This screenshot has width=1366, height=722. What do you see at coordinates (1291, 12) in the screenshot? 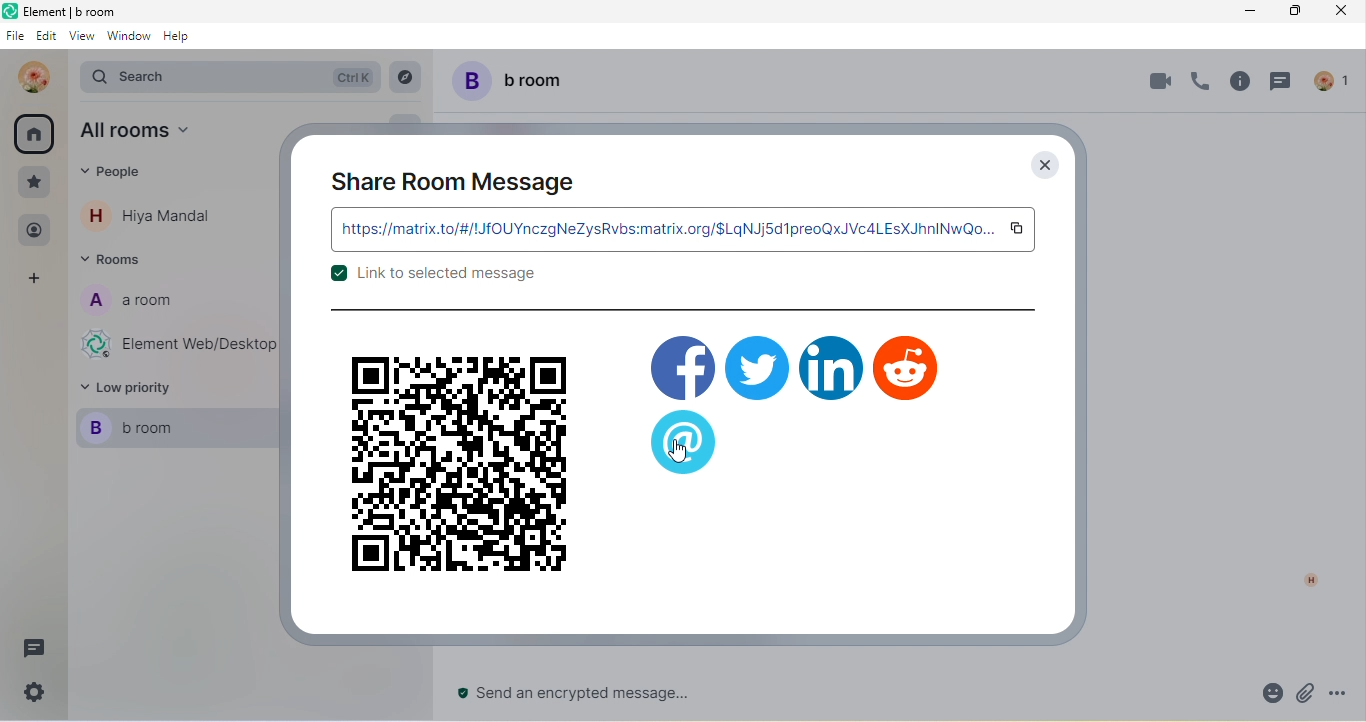
I see `maximize` at bounding box center [1291, 12].